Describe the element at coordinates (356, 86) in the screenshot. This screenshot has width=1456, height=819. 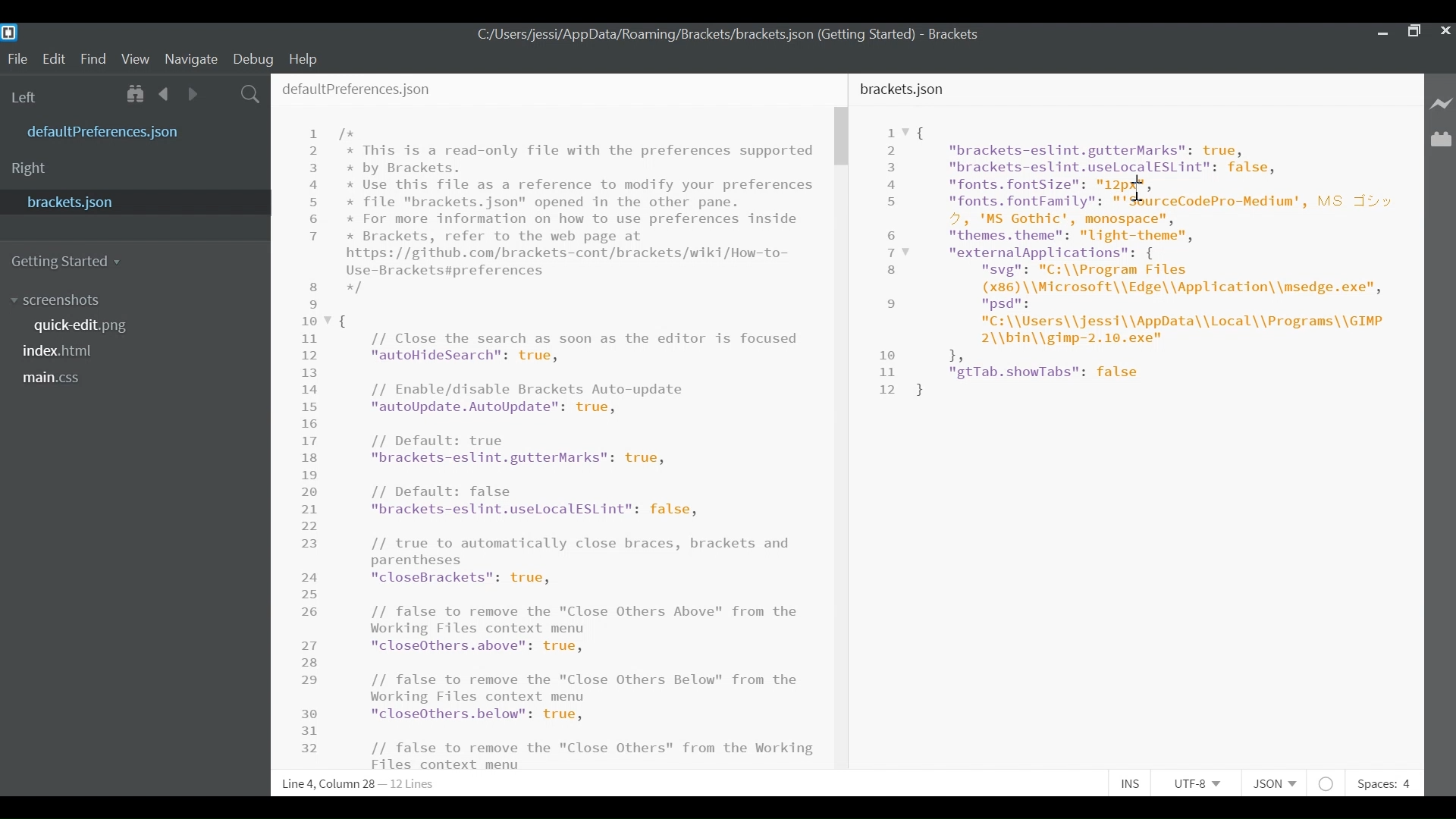
I see `defaultPreferences.json` at that location.